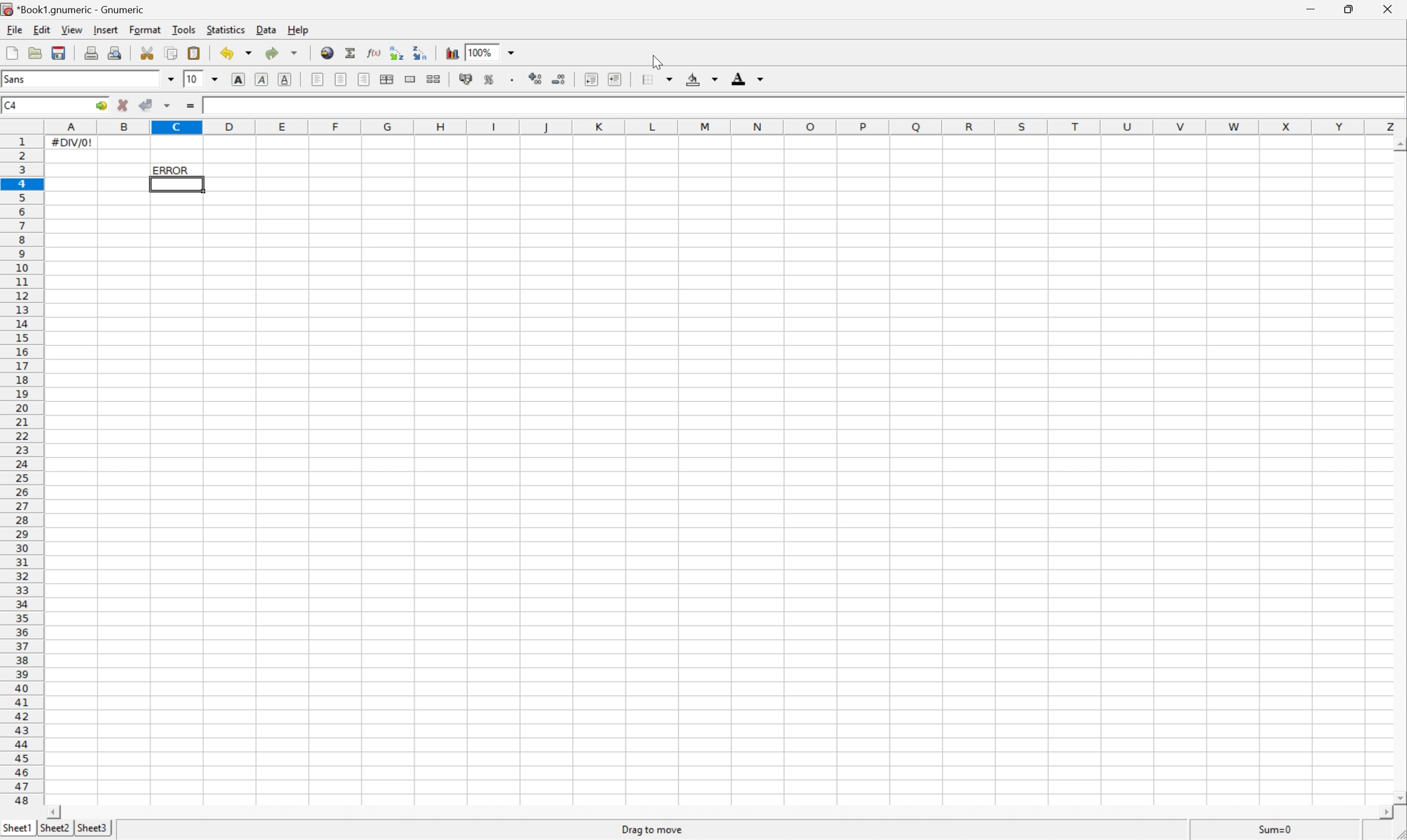  What do you see at coordinates (490, 79) in the screenshot?
I see `Format the selection as percentage` at bounding box center [490, 79].